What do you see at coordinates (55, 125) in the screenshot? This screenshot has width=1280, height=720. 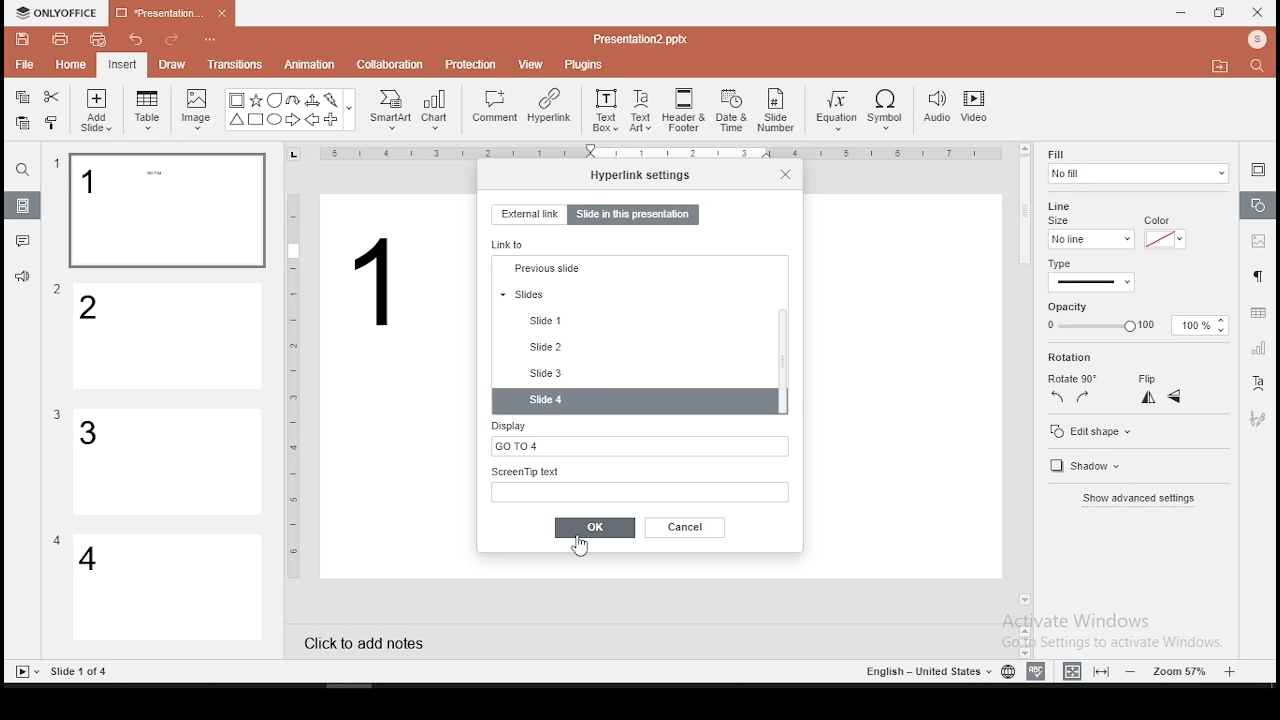 I see `clone formatting` at bounding box center [55, 125].